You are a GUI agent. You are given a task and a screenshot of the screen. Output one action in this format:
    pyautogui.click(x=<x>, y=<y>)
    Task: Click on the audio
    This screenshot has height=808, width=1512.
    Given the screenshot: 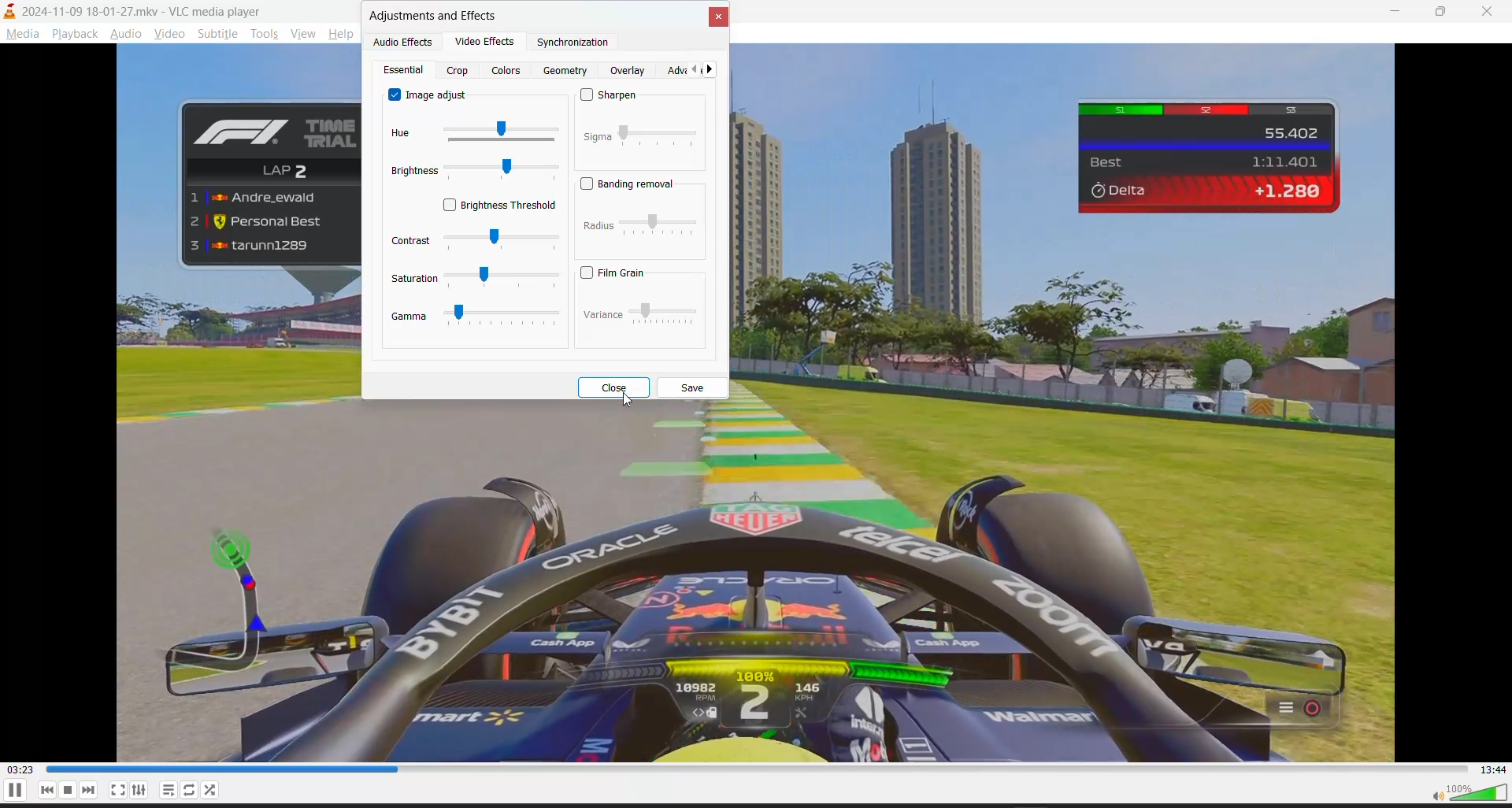 What is the action you would take?
    pyautogui.click(x=123, y=32)
    